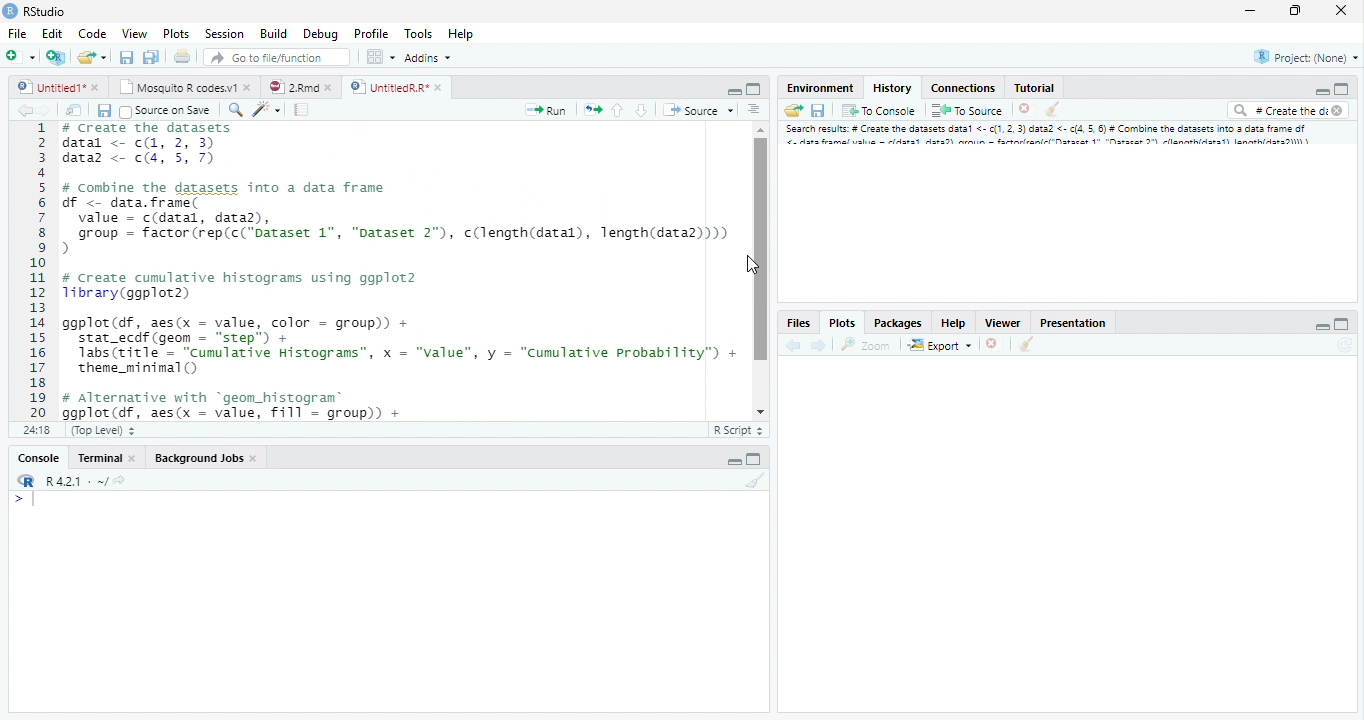 Image resolution: width=1364 pixels, height=720 pixels. I want to click on Help, so click(953, 322).